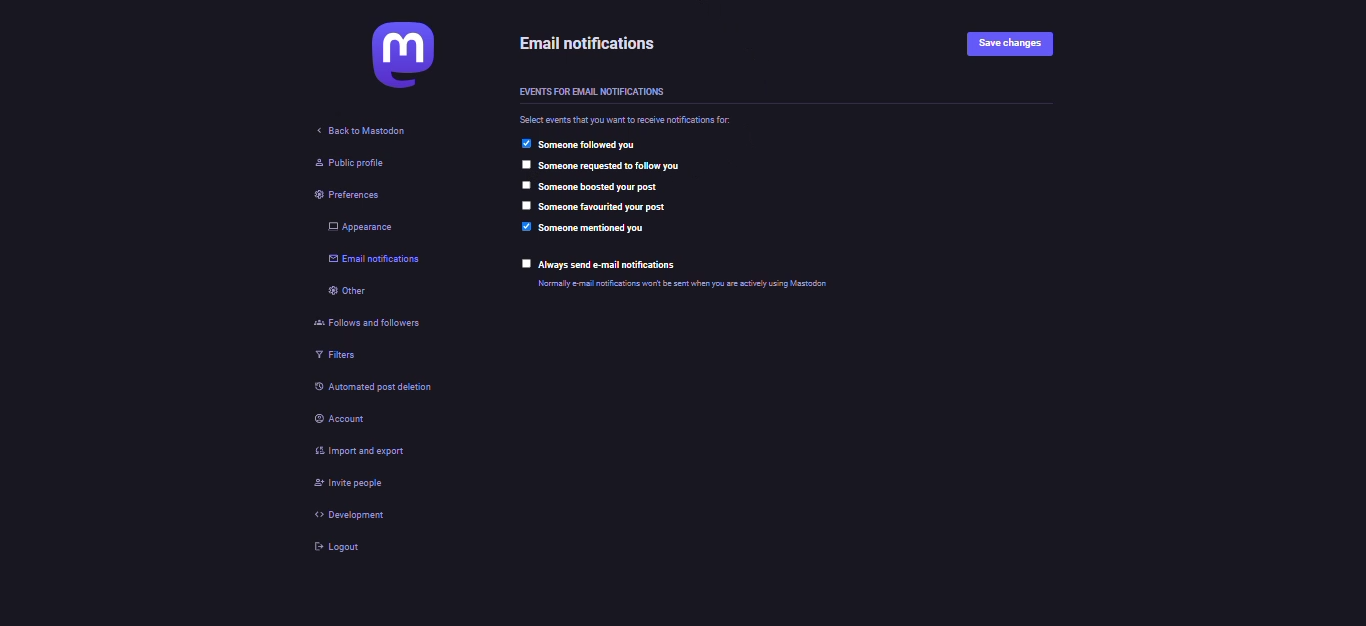 This screenshot has height=626, width=1366. What do you see at coordinates (525, 264) in the screenshot?
I see `click to enable` at bounding box center [525, 264].